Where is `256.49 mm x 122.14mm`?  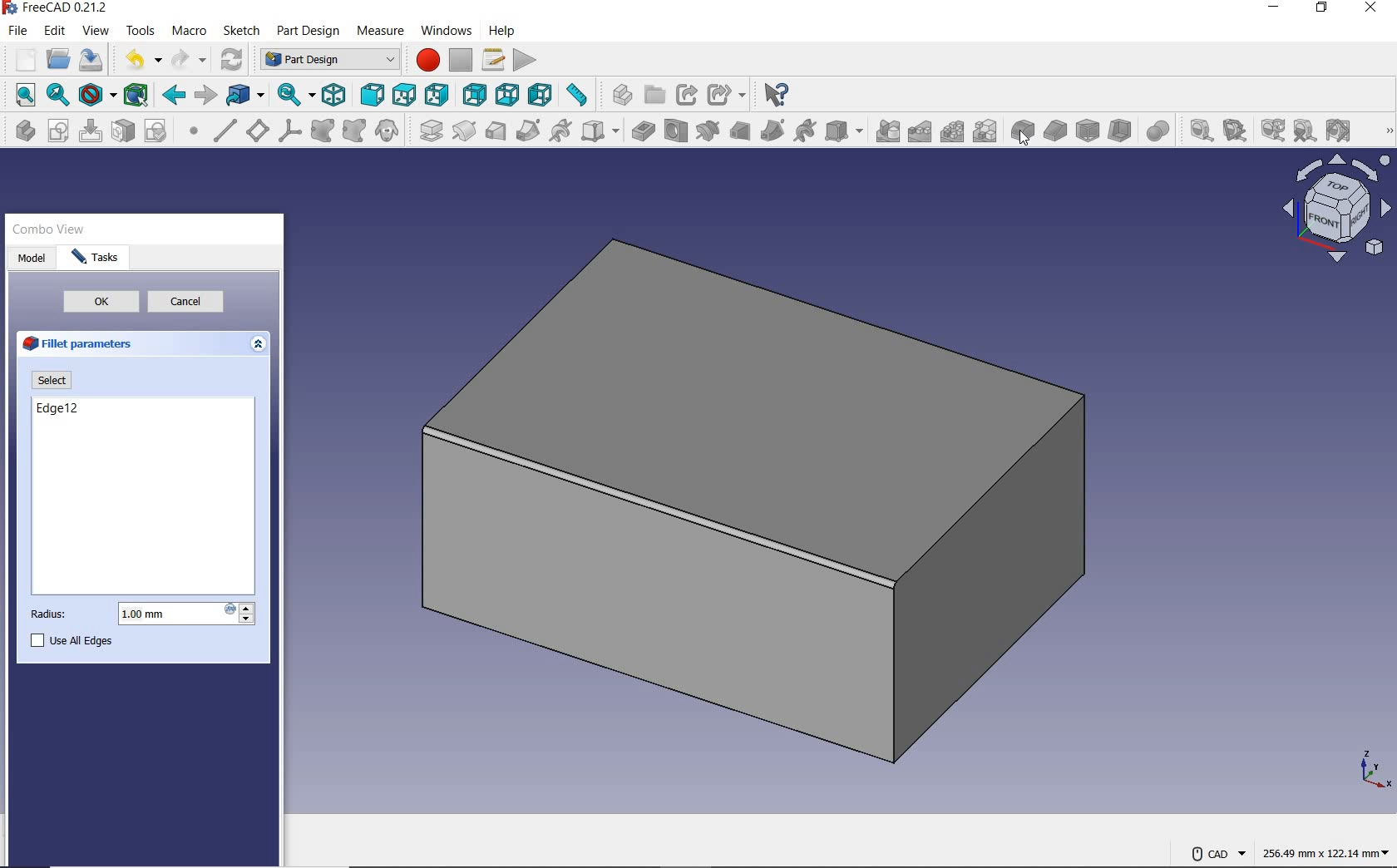 256.49 mm x 122.14mm is located at coordinates (1325, 851).